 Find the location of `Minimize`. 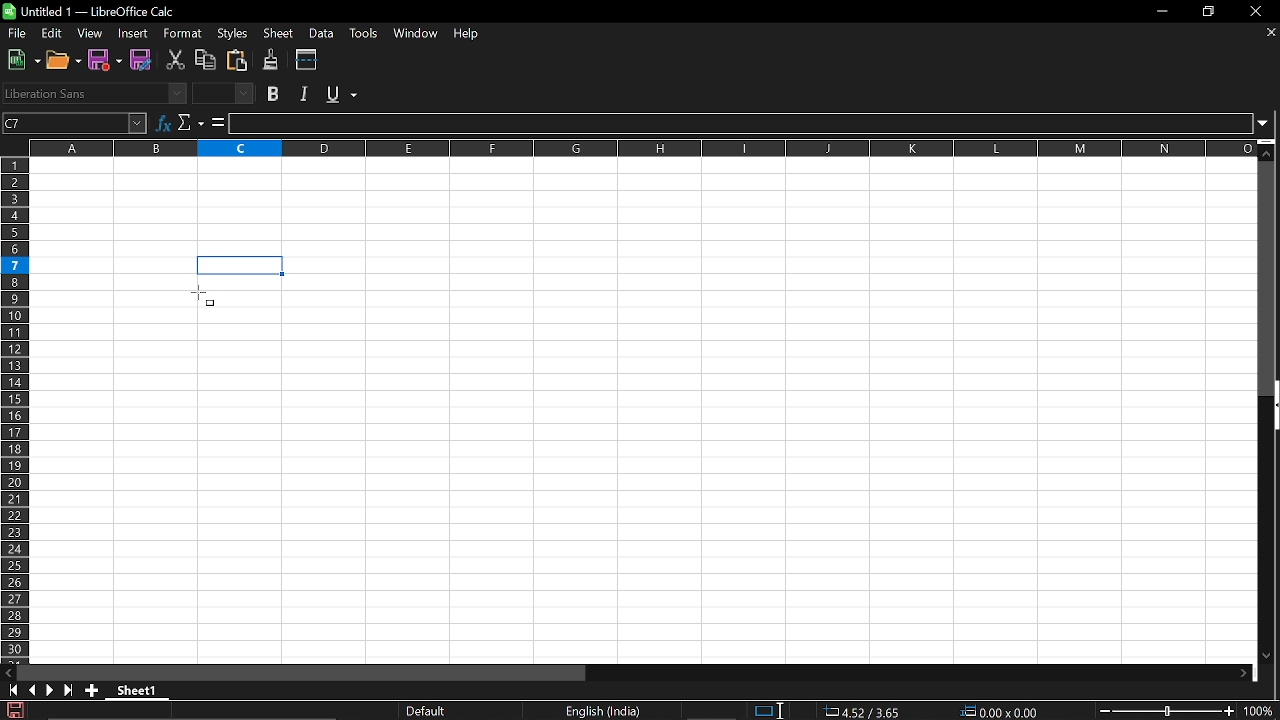

Minimize is located at coordinates (1158, 11).